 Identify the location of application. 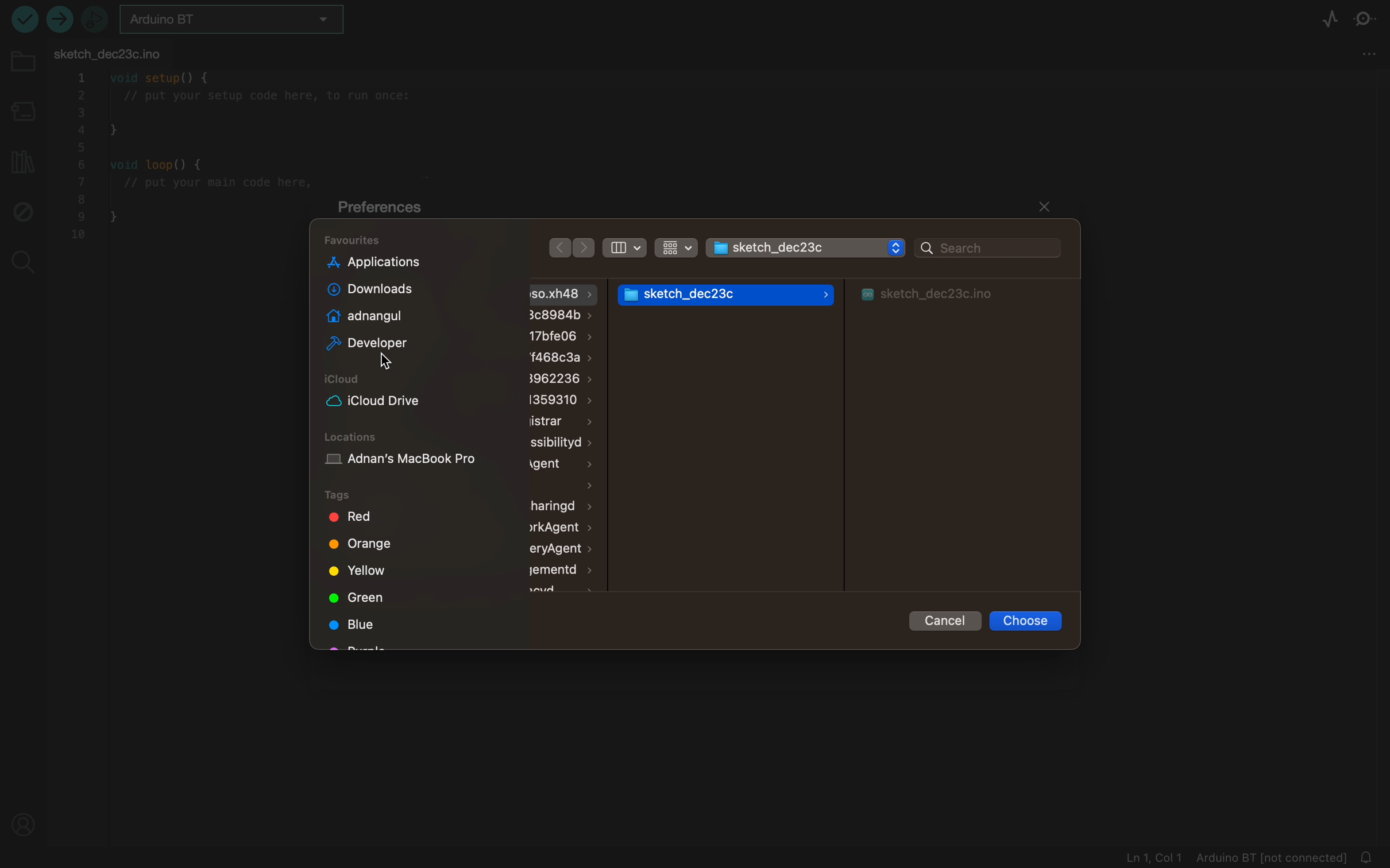
(376, 264).